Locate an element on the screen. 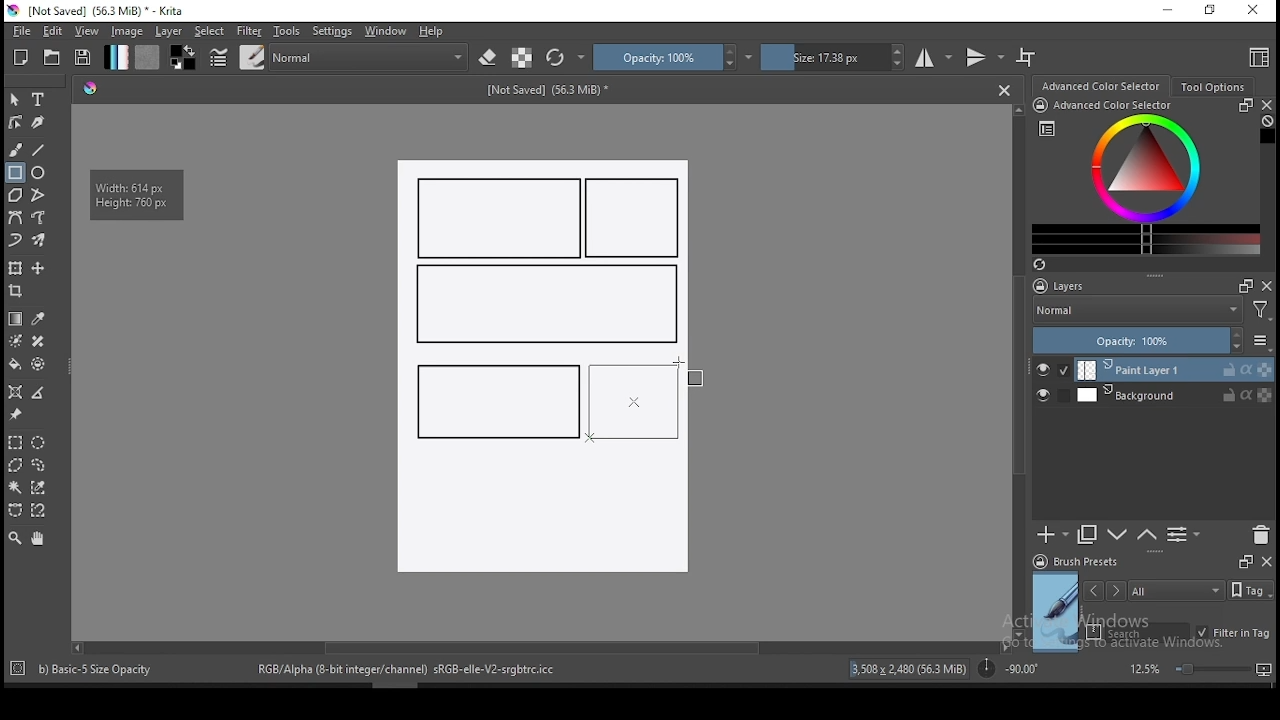  blending mode is located at coordinates (1136, 312).